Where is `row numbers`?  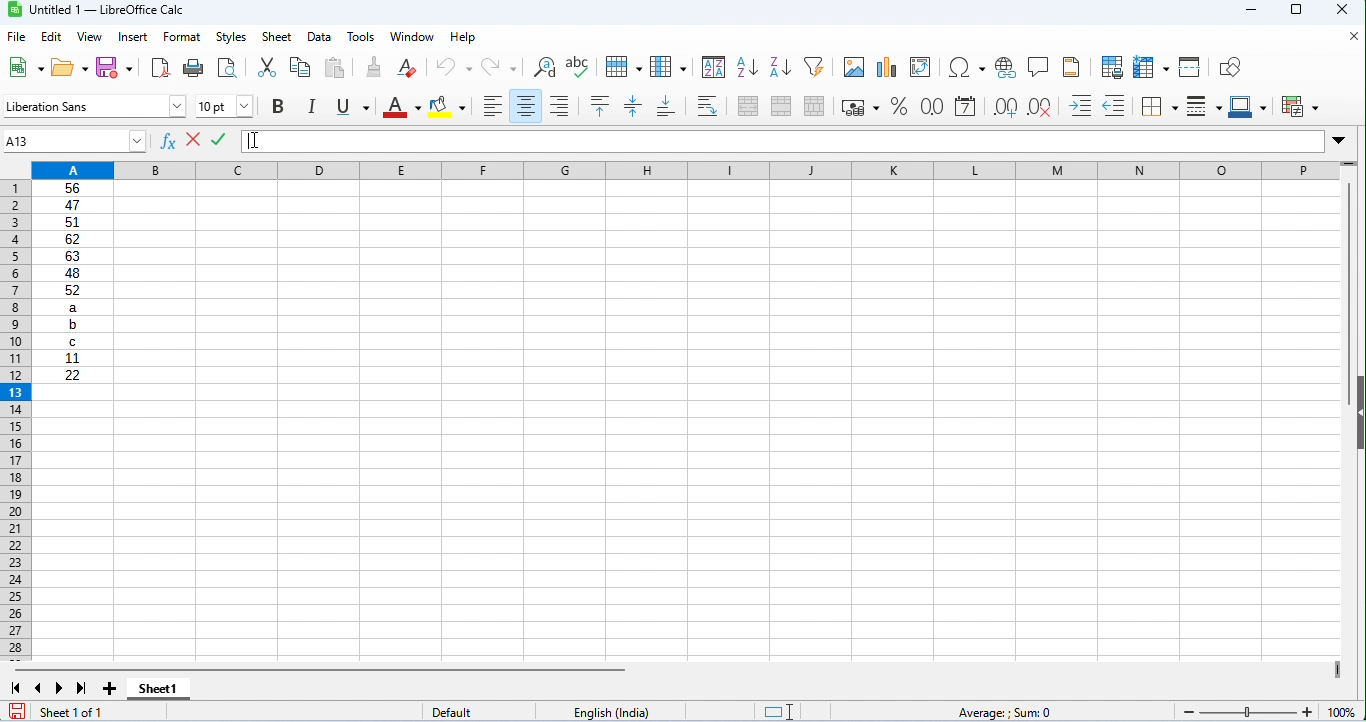
row numbers is located at coordinates (17, 421).